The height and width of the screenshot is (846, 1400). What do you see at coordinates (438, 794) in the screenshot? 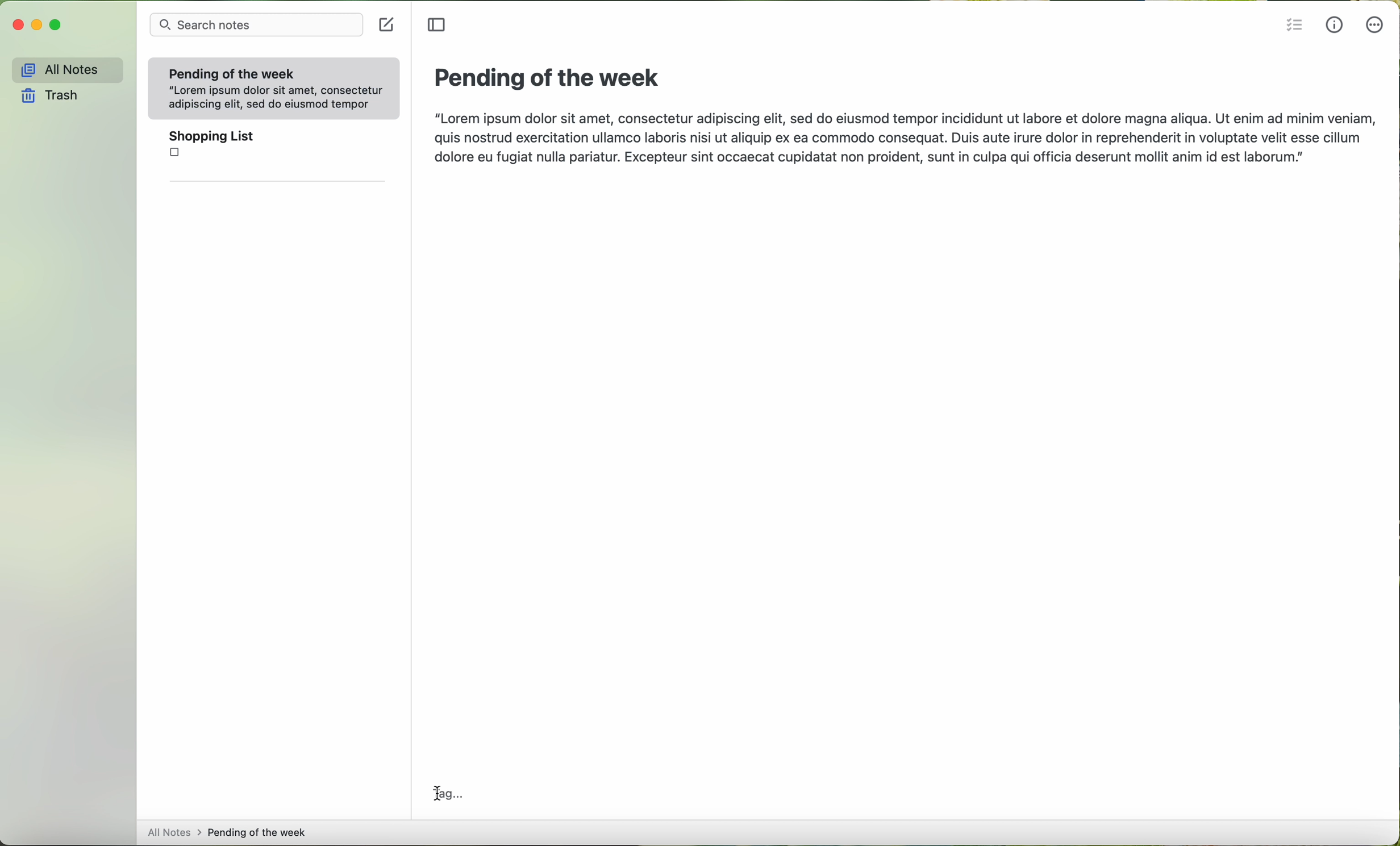
I see `cursor` at bounding box center [438, 794].